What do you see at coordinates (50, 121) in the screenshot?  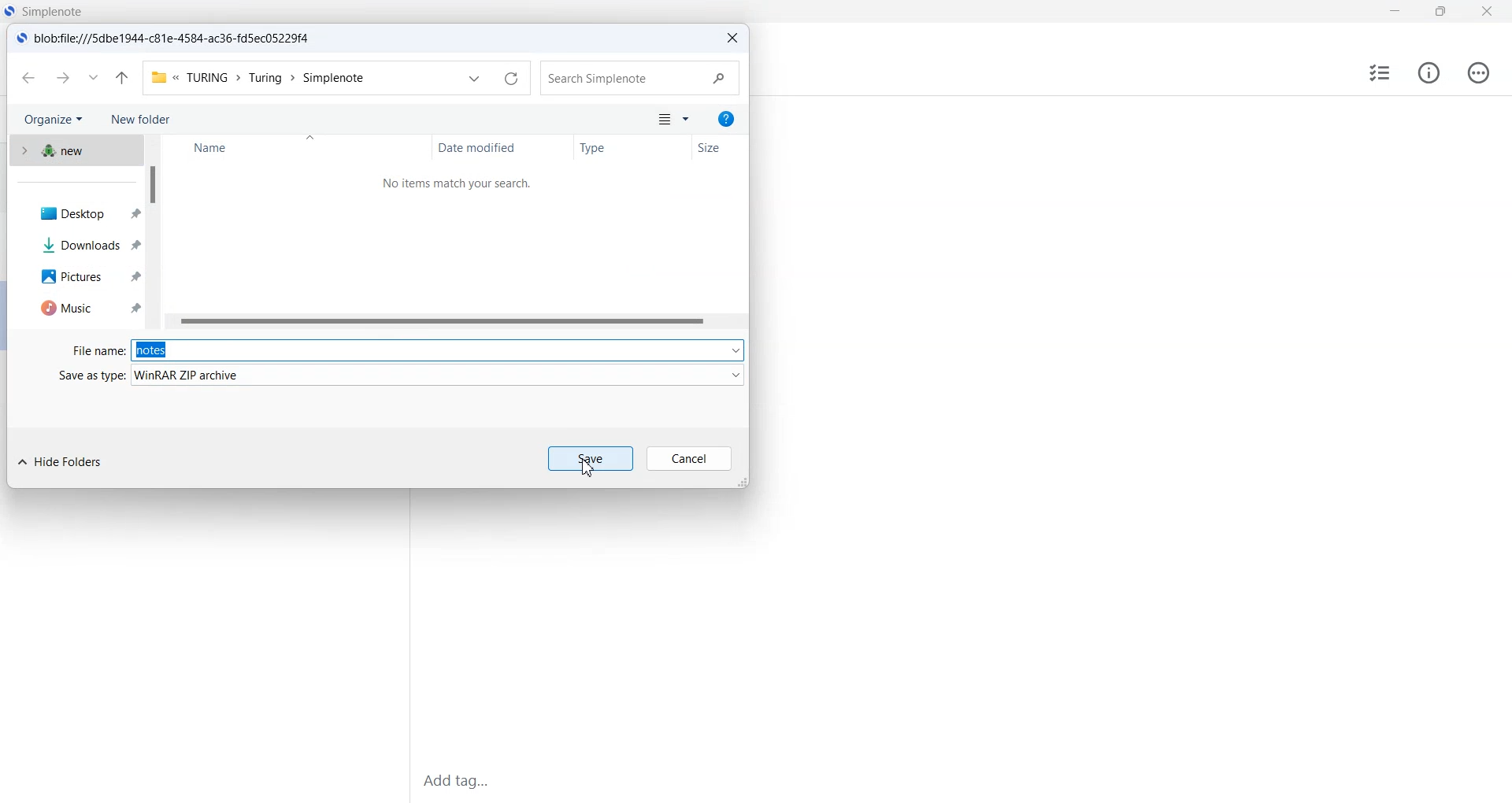 I see `Organize` at bounding box center [50, 121].